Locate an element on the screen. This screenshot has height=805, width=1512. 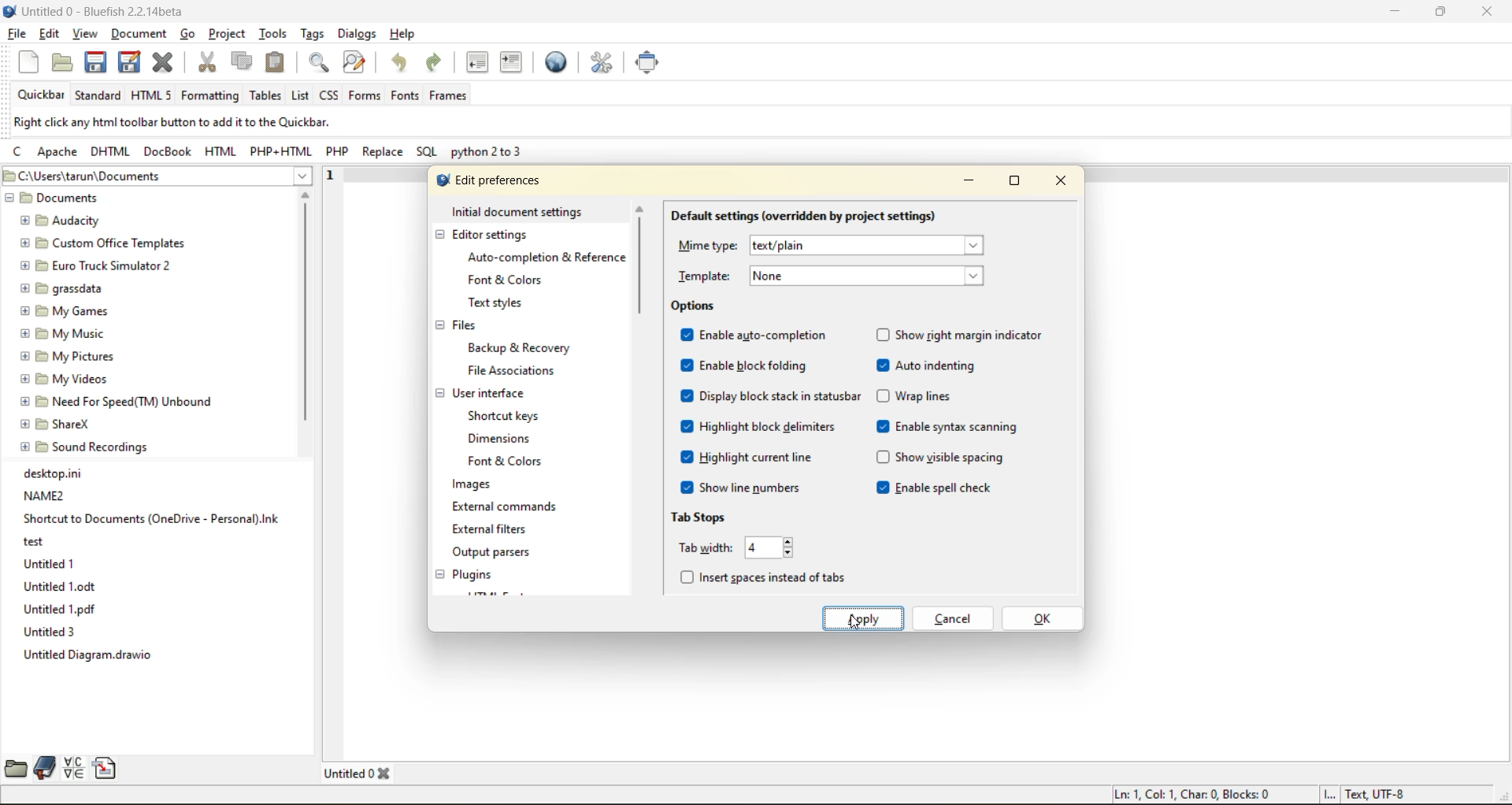
help is located at coordinates (402, 33).